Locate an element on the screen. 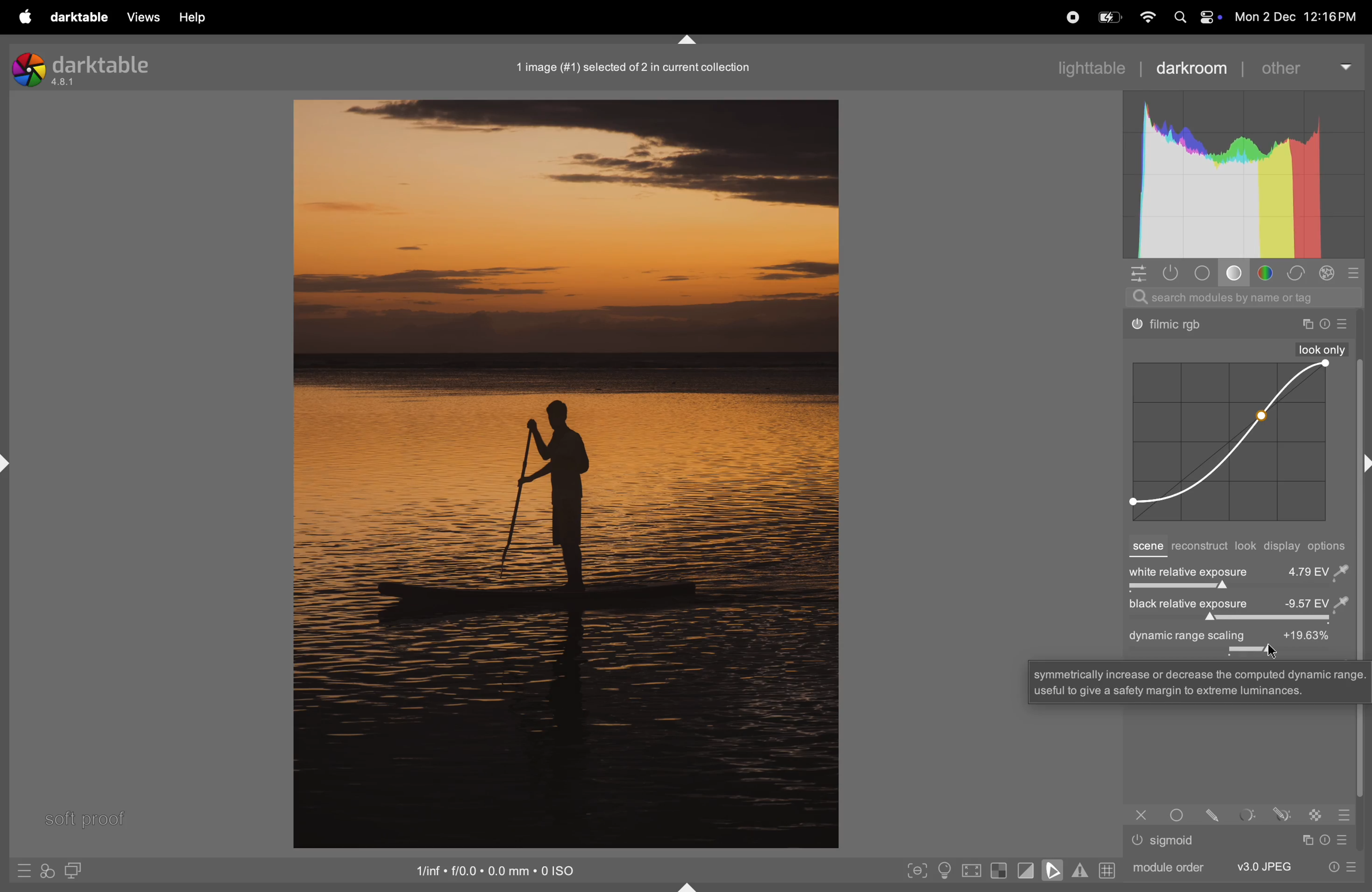 Image resolution: width=1372 pixels, height=892 pixels. darktable is located at coordinates (78, 18).